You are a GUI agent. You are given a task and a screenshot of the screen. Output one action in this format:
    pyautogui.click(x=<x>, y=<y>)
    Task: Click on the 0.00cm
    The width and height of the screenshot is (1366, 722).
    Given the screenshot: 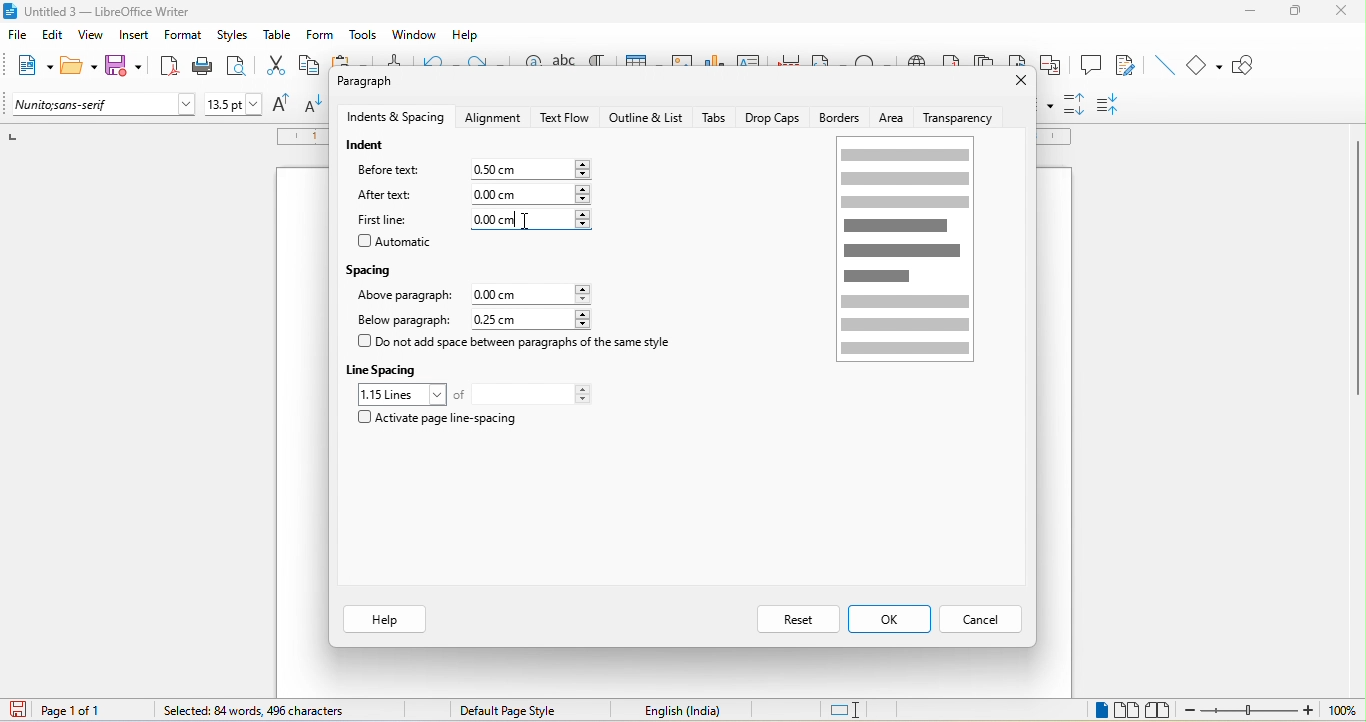 What is the action you would take?
    pyautogui.click(x=518, y=221)
    